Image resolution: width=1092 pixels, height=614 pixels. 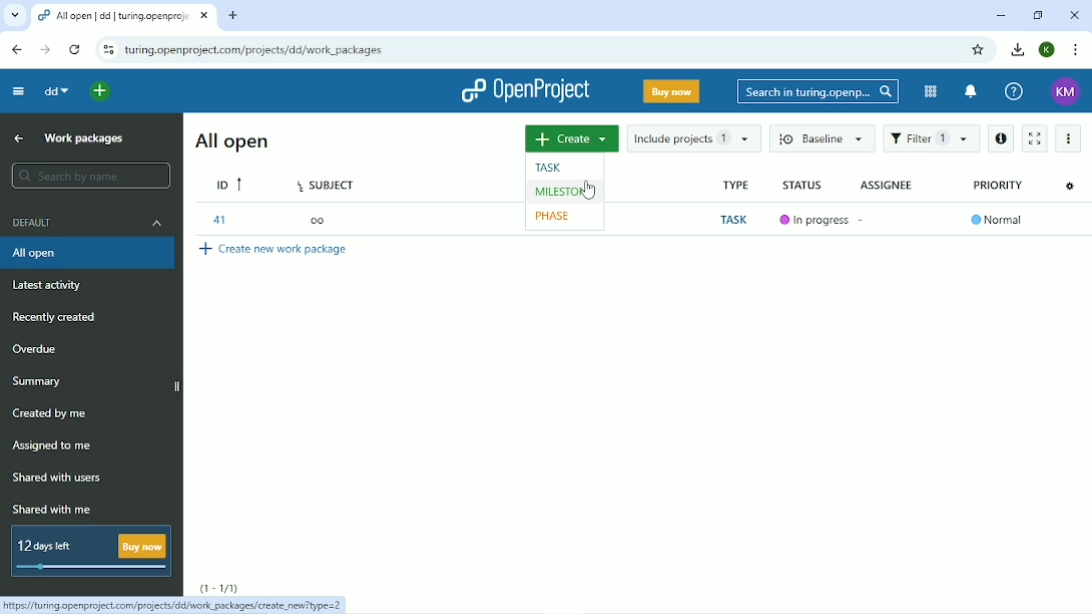 What do you see at coordinates (107, 49) in the screenshot?
I see `View site information` at bounding box center [107, 49].